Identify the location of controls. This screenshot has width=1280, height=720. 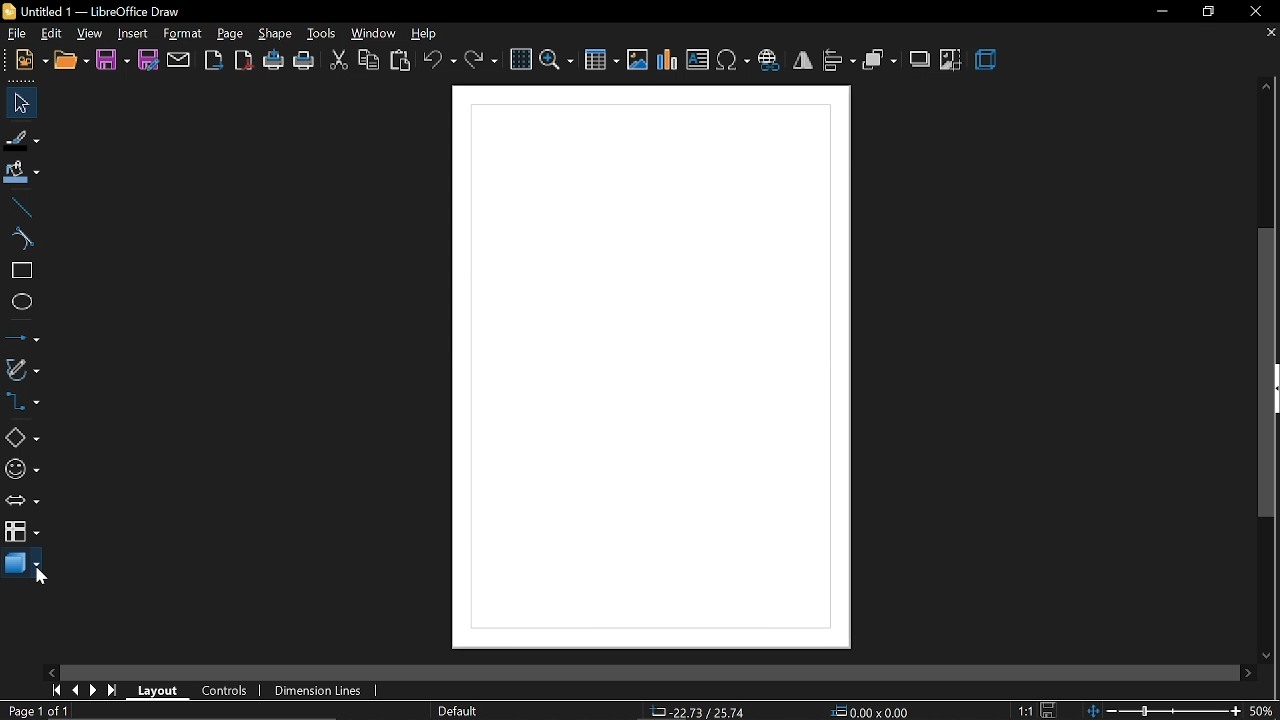
(227, 691).